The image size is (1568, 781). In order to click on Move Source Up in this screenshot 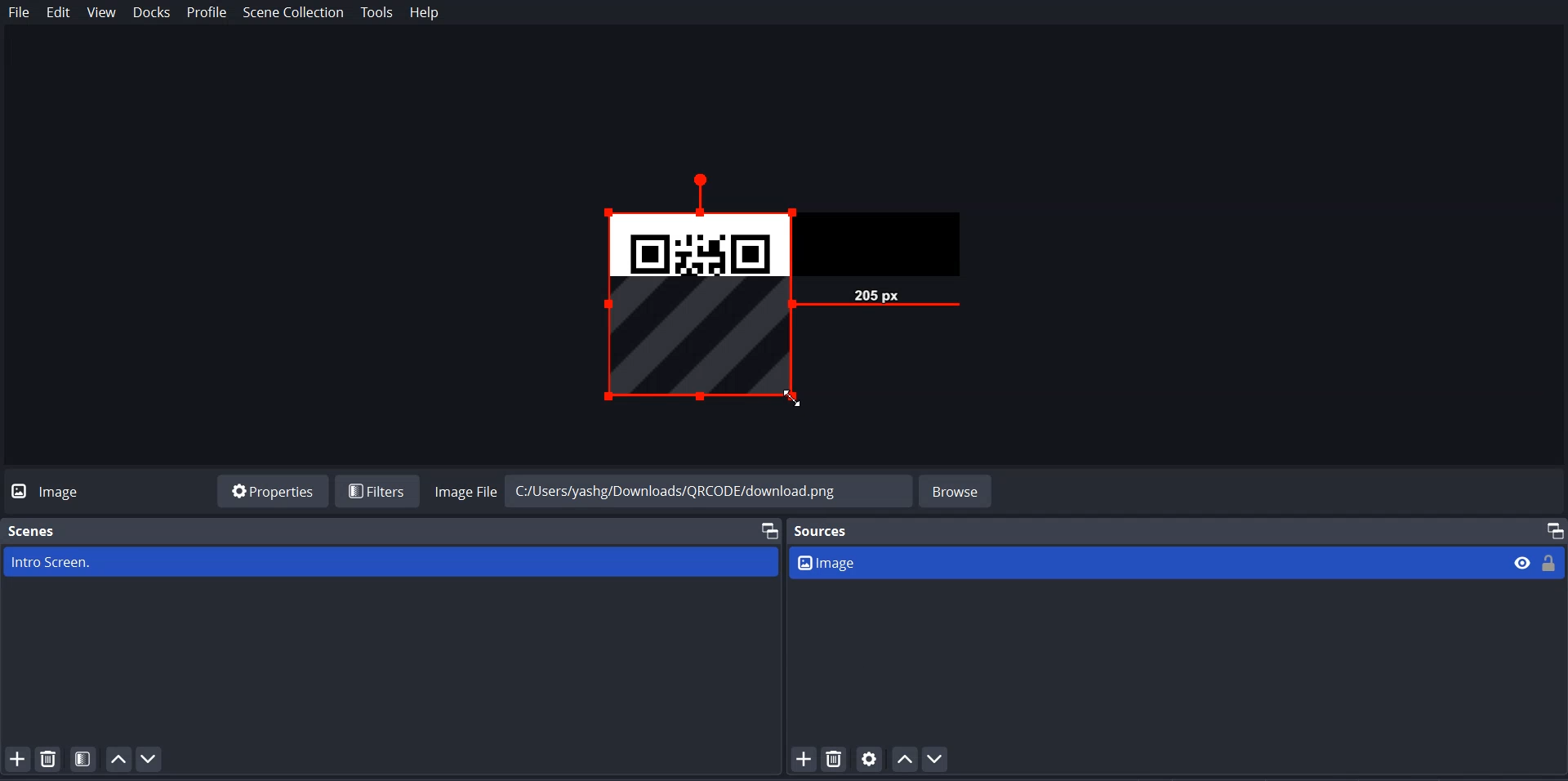, I will do `click(906, 758)`.